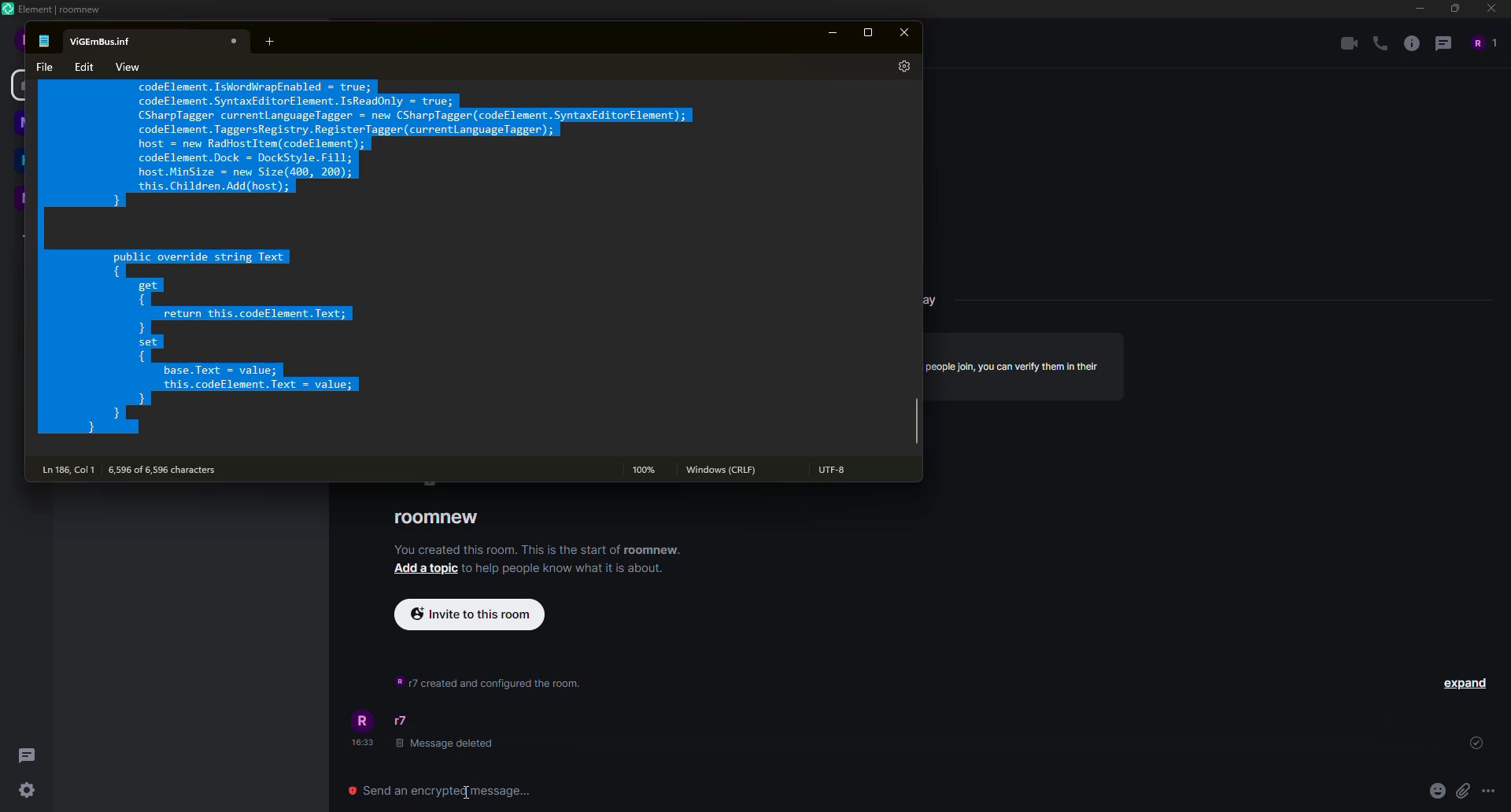 This screenshot has height=812, width=1511. I want to click on profile, so click(365, 720).